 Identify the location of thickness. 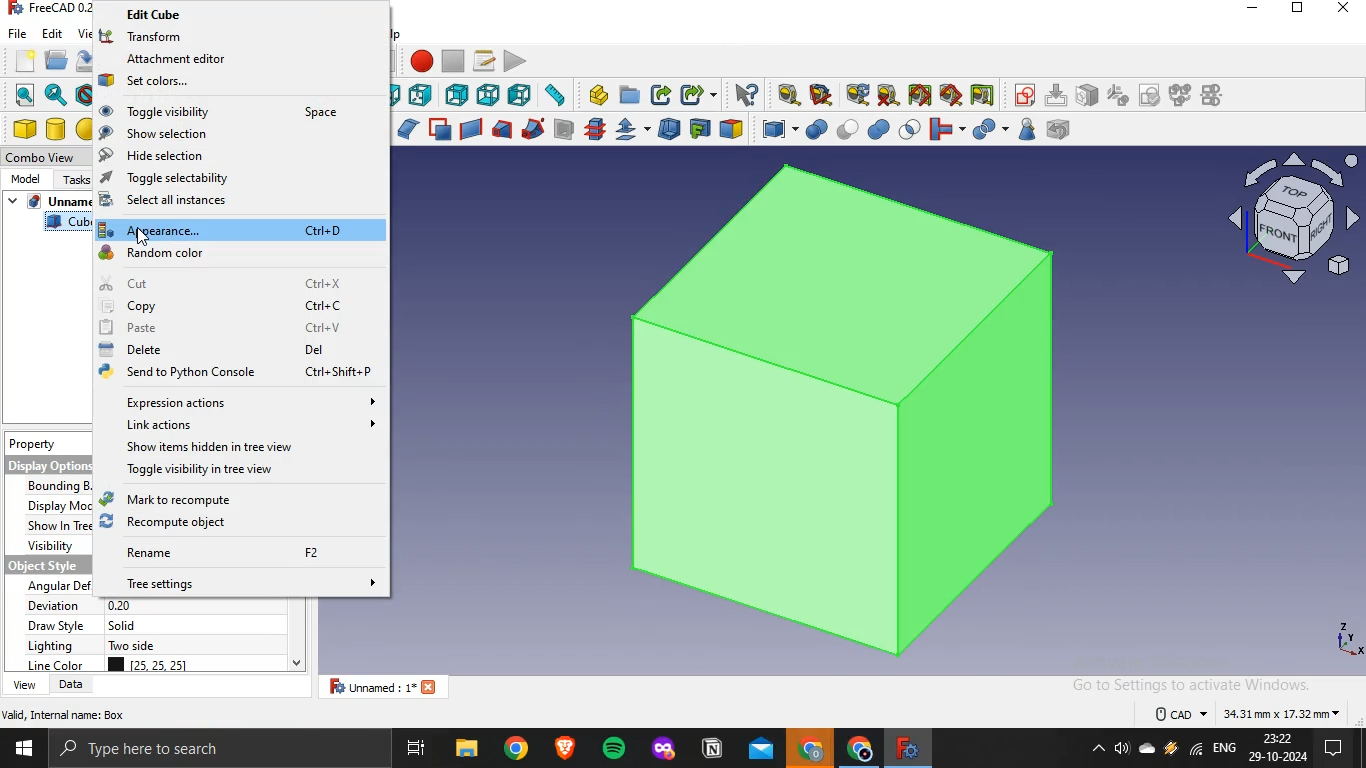
(670, 127).